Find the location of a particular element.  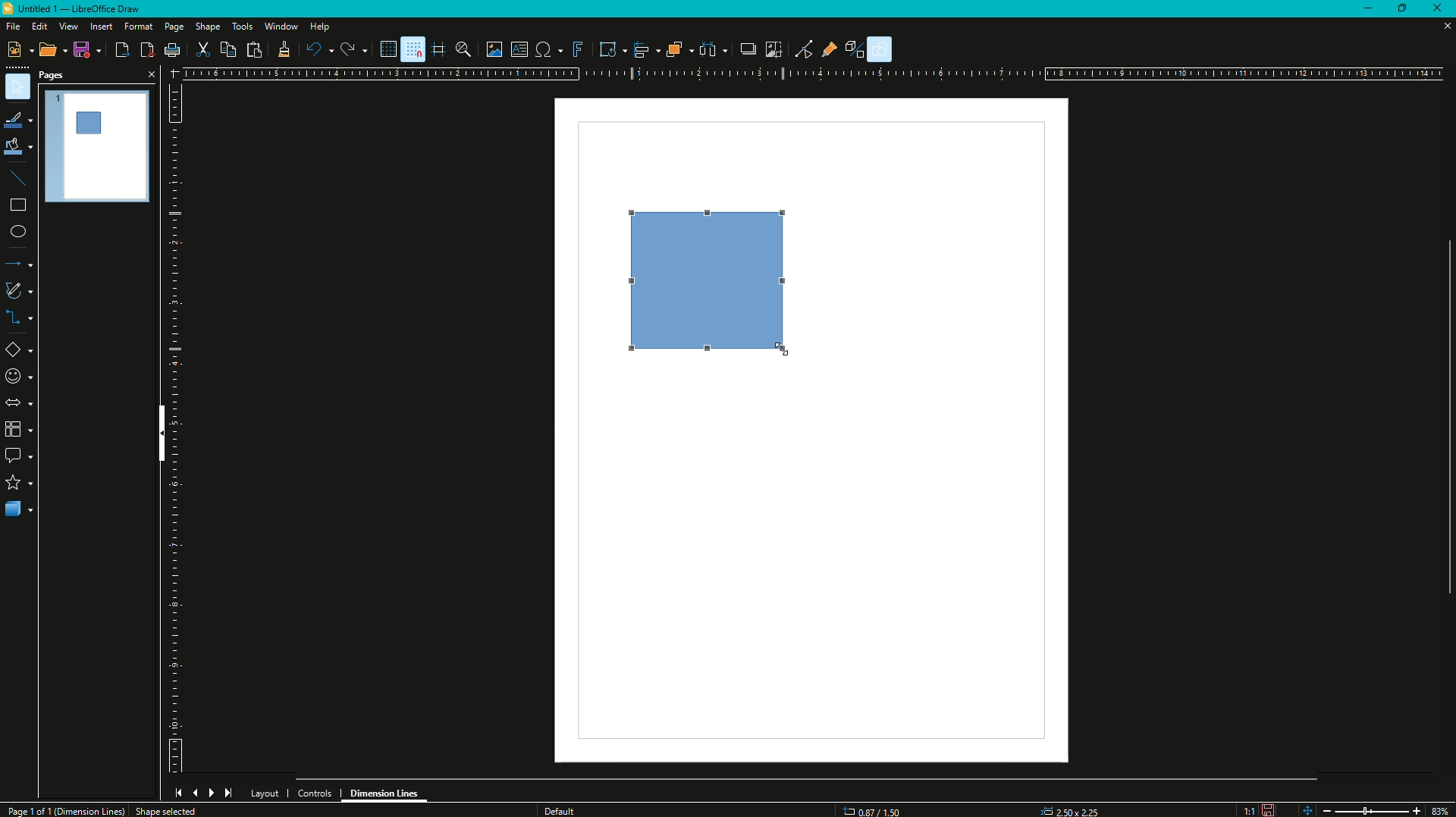

Page is located at coordinates (173, 28).